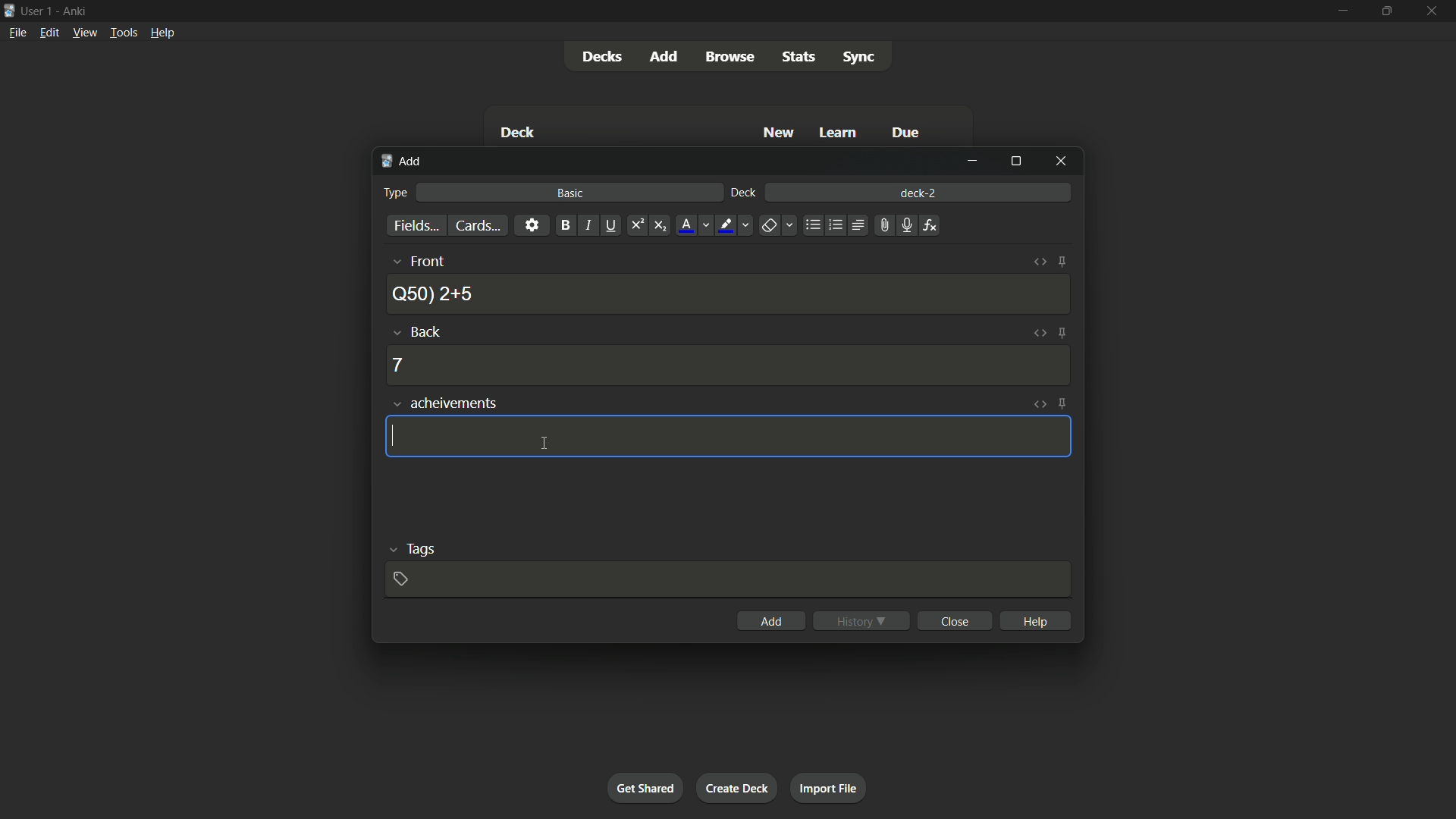  Describe the element at coordinates (516, 132) in the screenshot. I see `Deck` at that location.